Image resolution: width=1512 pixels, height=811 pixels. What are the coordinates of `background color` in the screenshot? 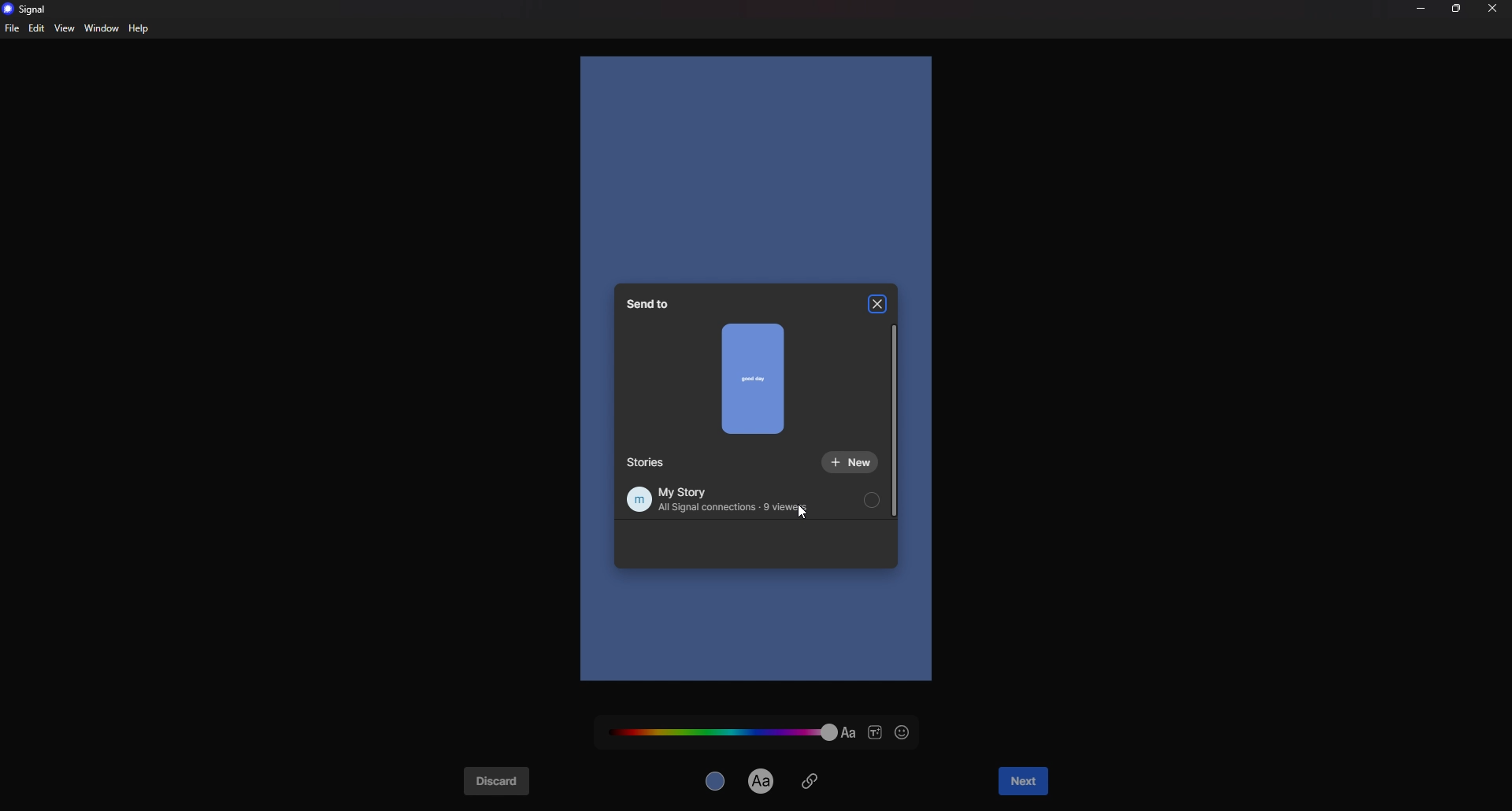 It's located at (717, 780).